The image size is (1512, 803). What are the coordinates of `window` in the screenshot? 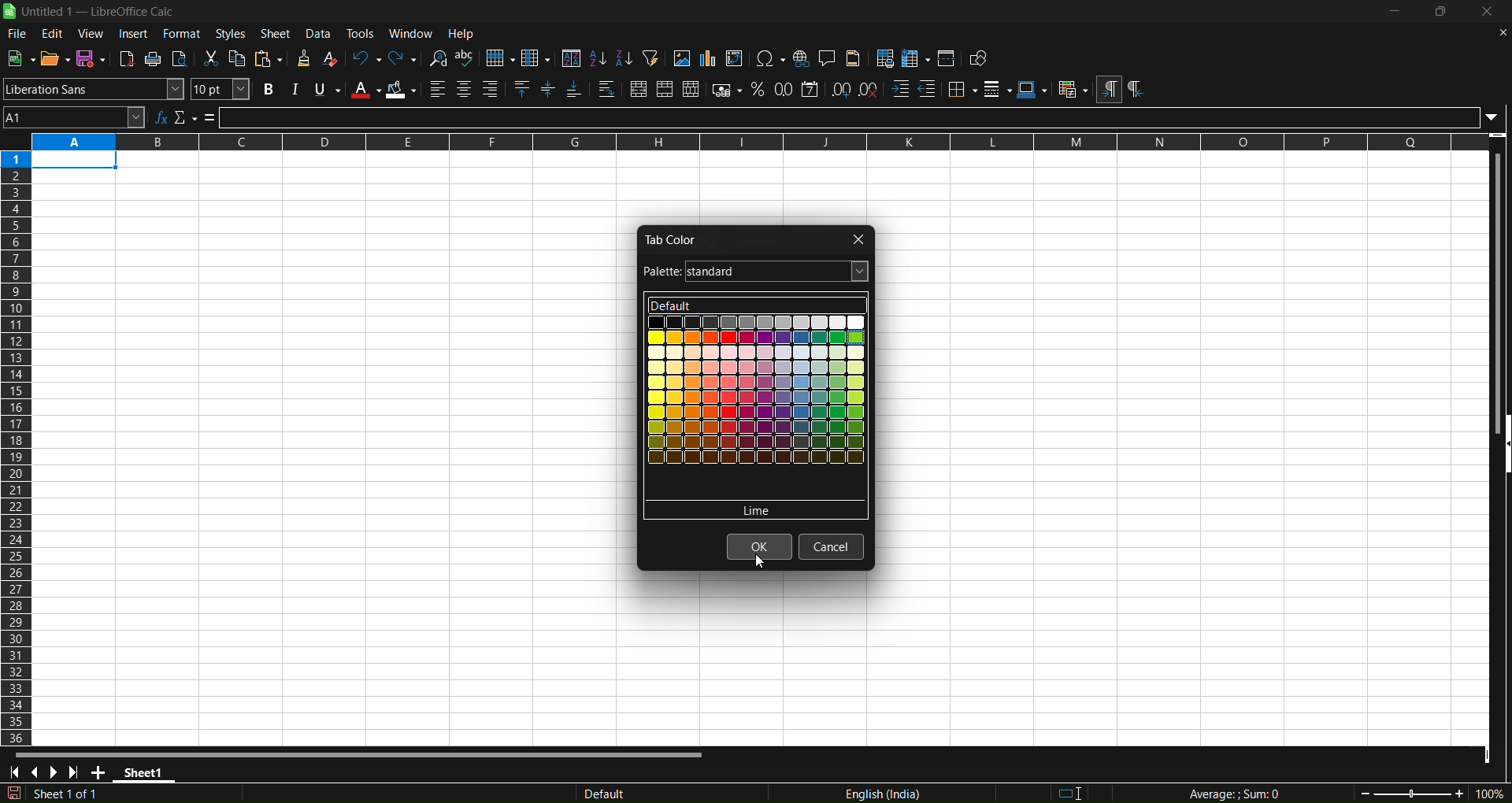 It's located at (414, 33).